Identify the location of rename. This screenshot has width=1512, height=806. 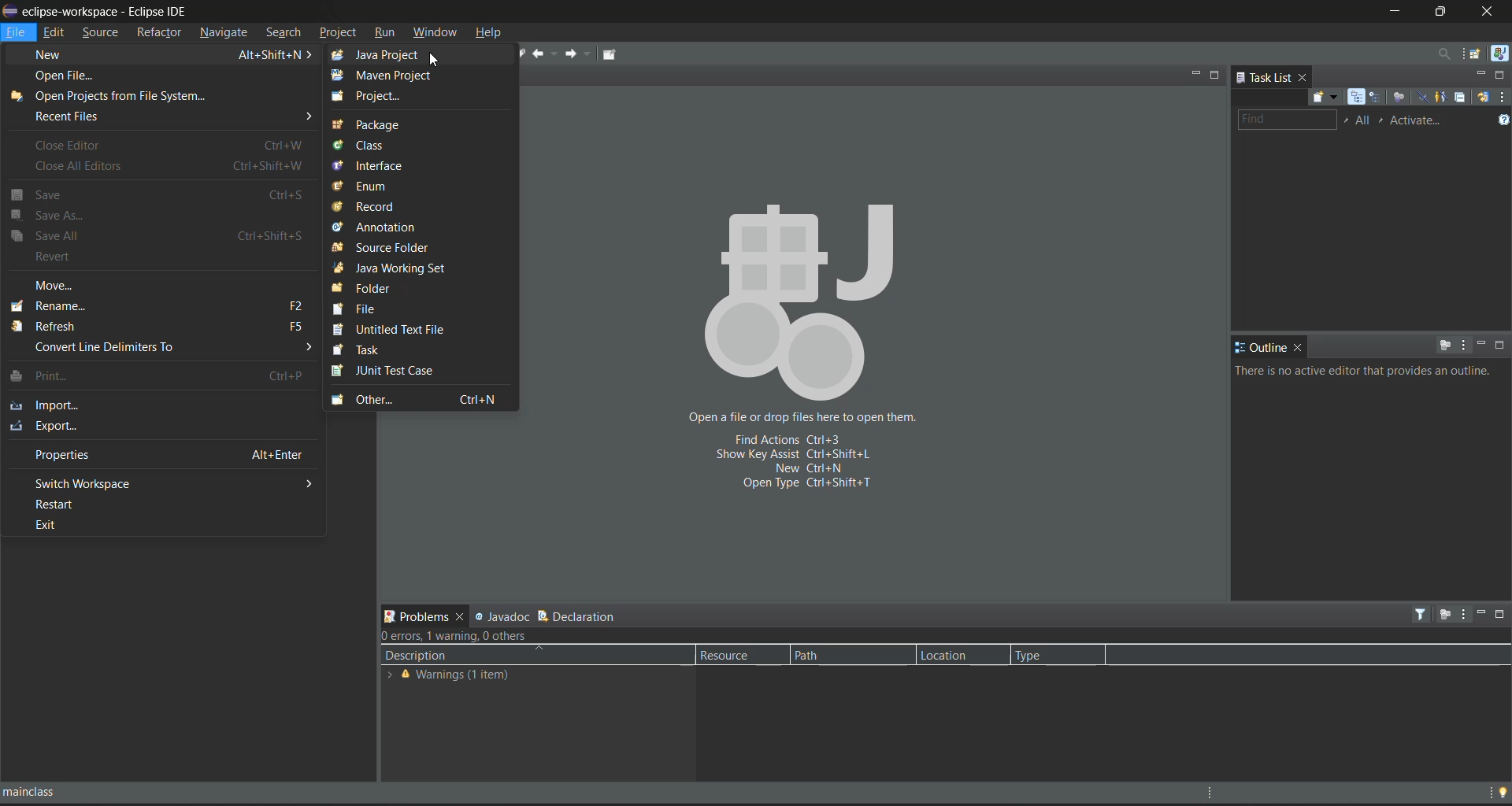
(161, 305).